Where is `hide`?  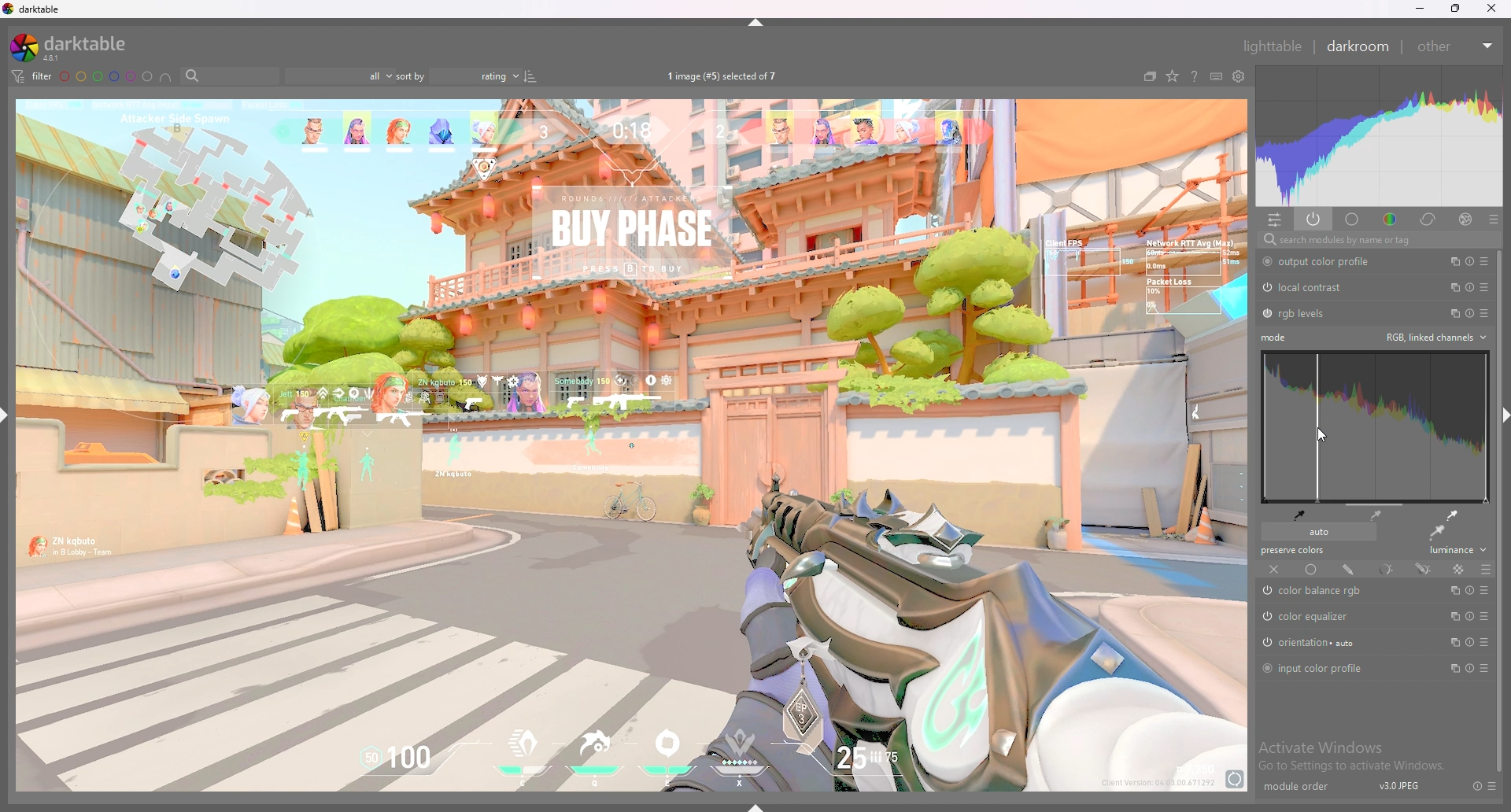 hide is located at coordinates (765, 25).